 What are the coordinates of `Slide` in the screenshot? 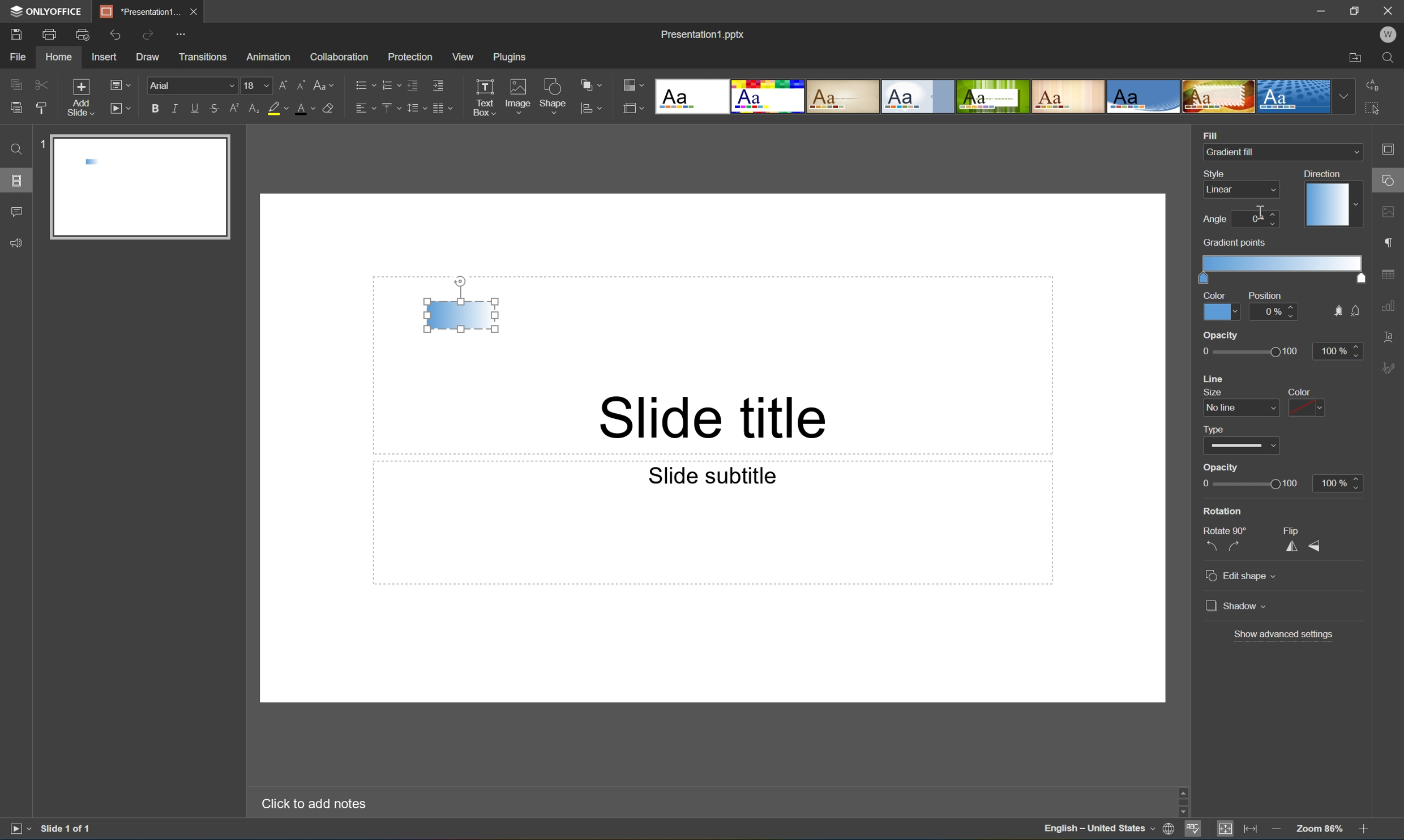 It's located at (142, 188).